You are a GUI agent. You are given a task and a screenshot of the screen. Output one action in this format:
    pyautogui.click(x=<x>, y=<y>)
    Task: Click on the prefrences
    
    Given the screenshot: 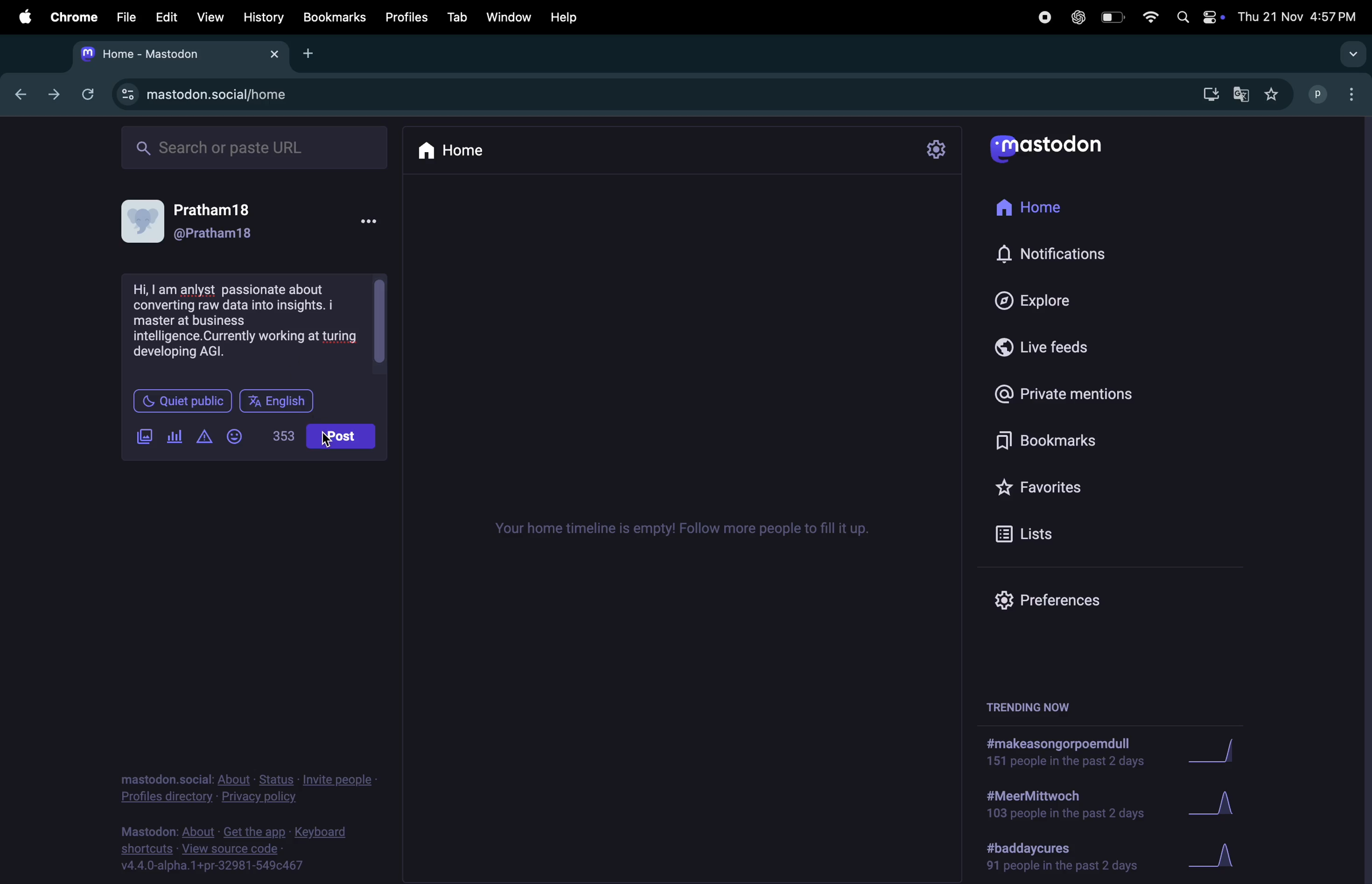 What is the action you would take?
    pyautogui.click(x=1057, y=598)
    